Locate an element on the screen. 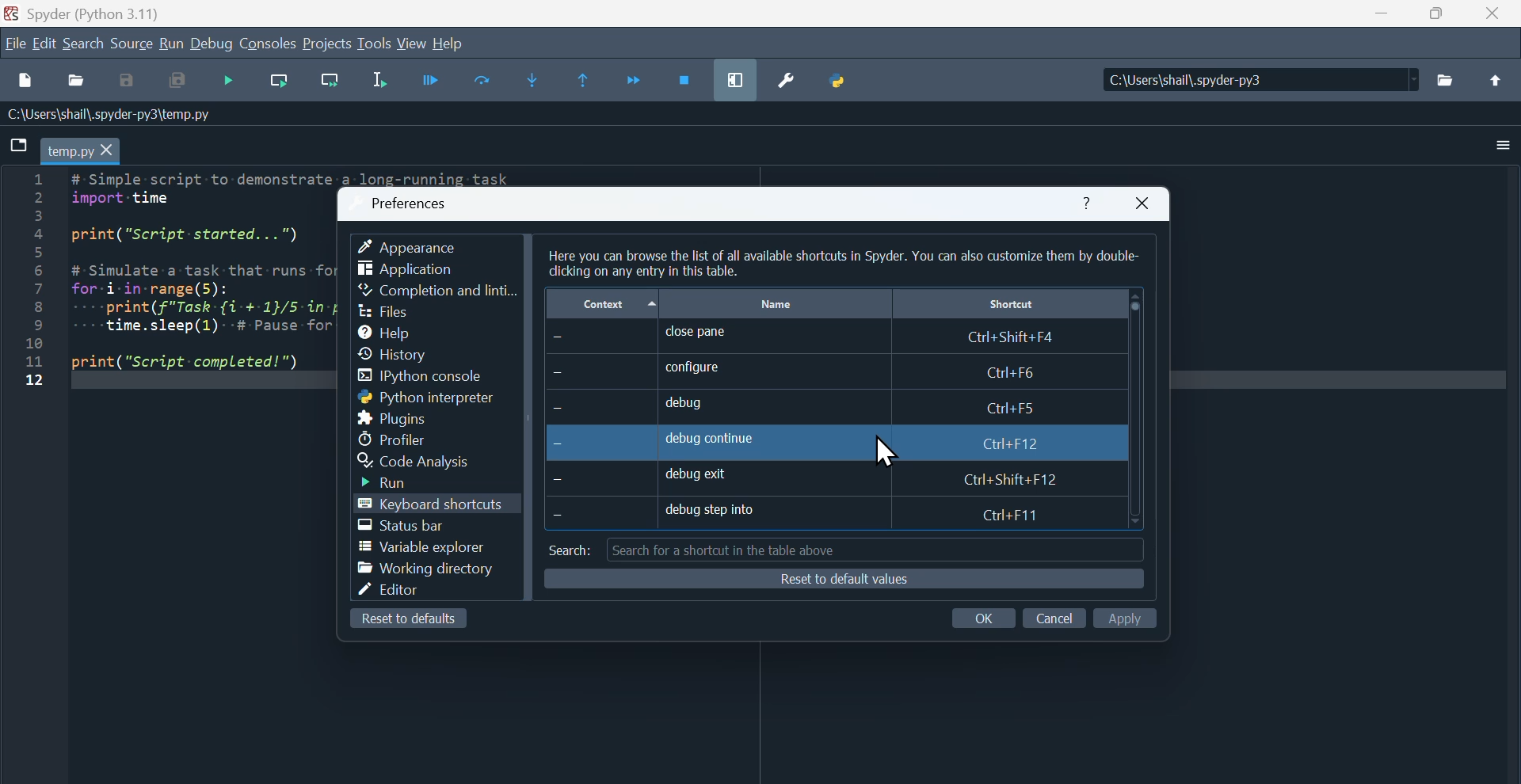 Image resolution: width=1521 pixels, height=784 pixels.  is located at coordinates (844, 260).